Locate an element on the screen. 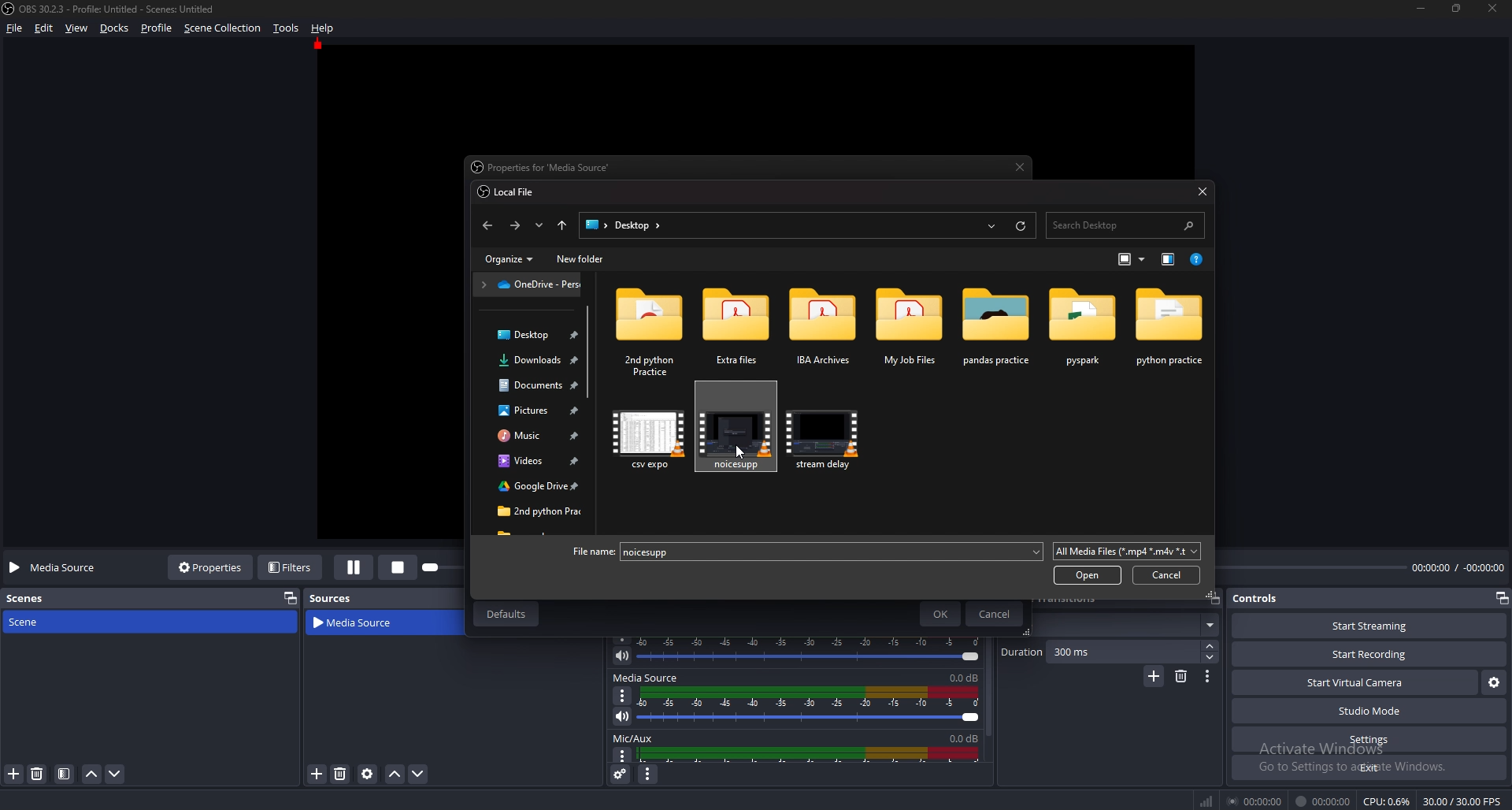  file name is located at coordinates (587, 552).